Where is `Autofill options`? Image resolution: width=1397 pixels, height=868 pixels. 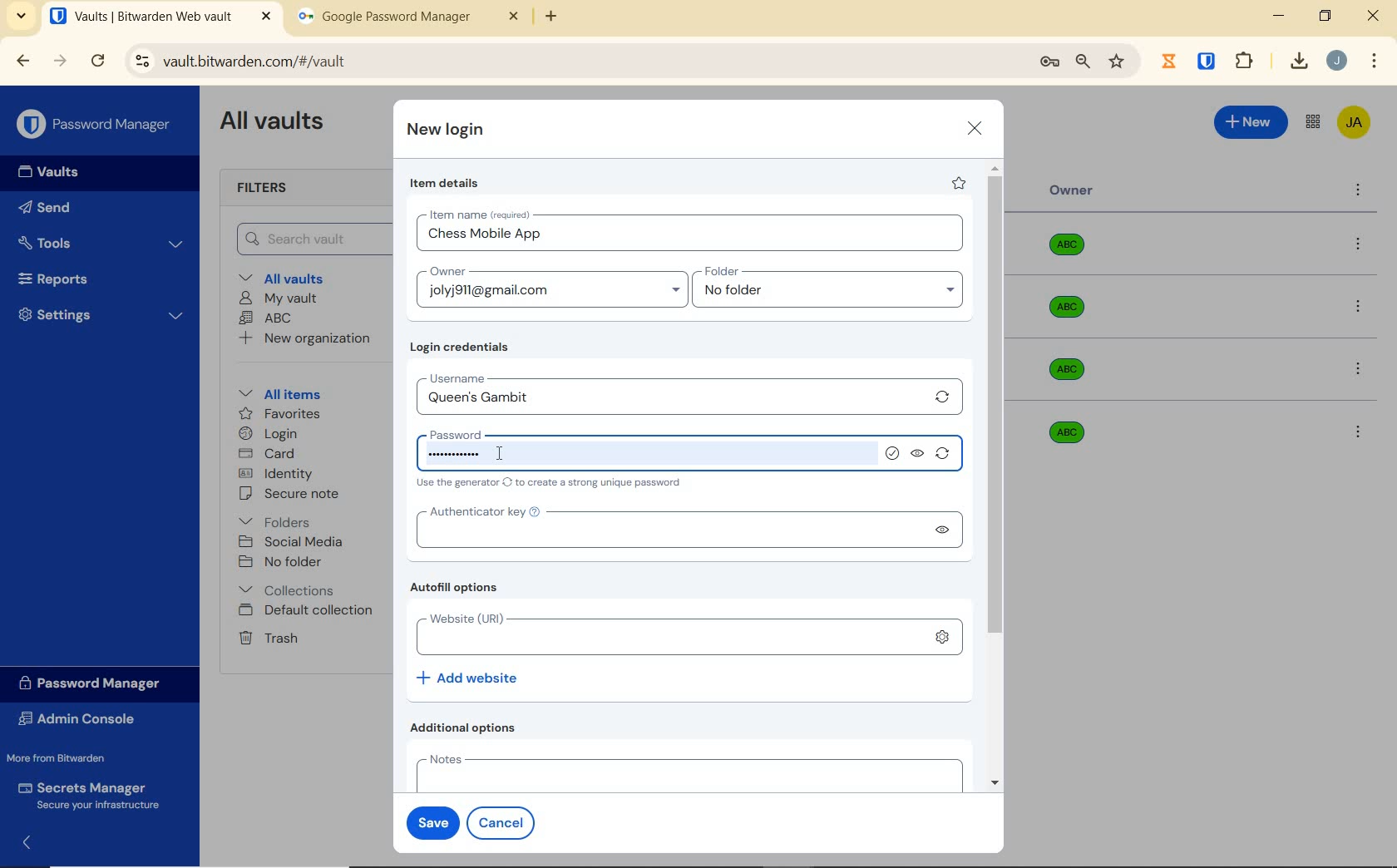
Autofill options is located at coordinates (458, 589).